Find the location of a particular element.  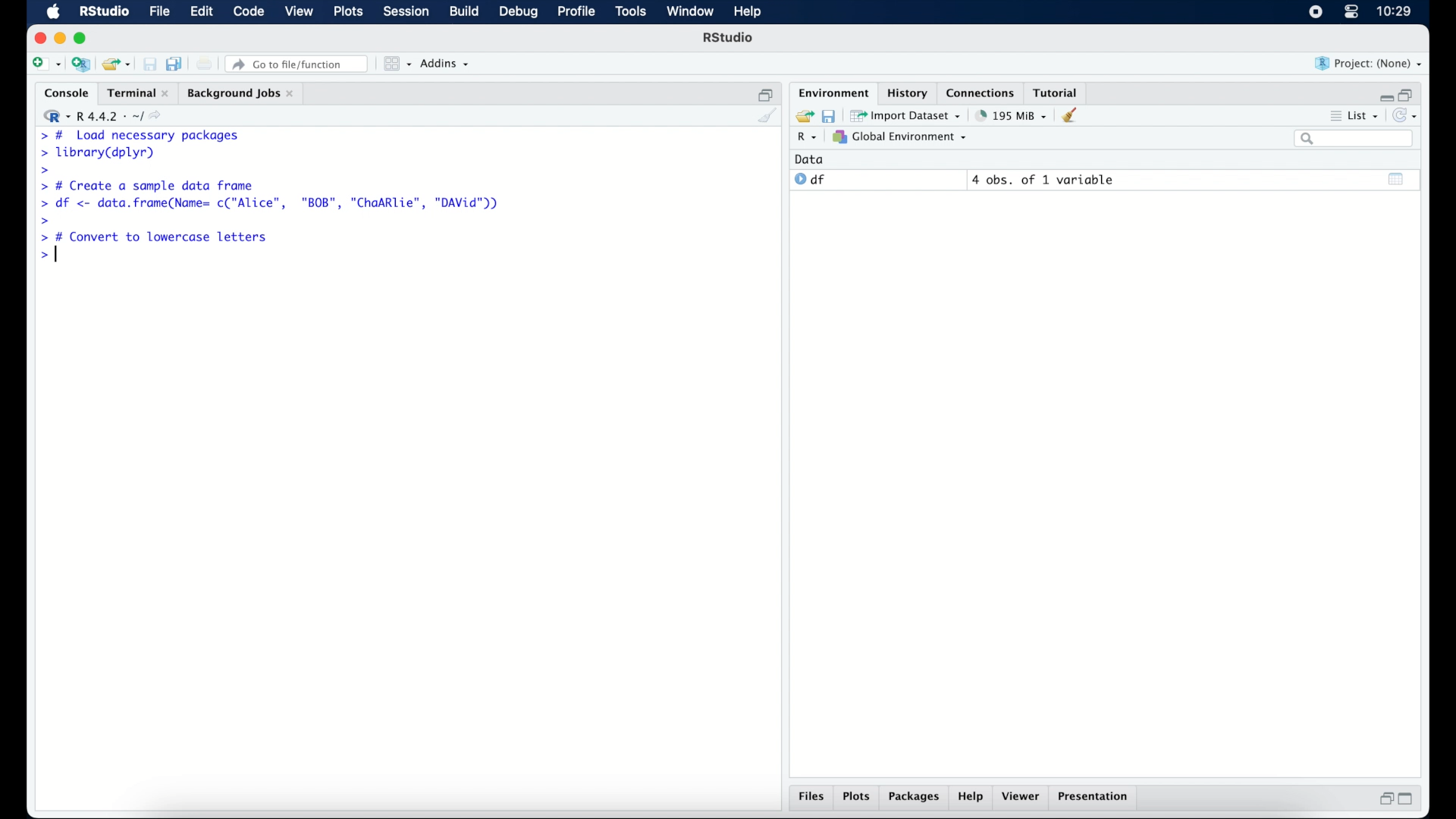

plots is located at coordinates (350, 13).